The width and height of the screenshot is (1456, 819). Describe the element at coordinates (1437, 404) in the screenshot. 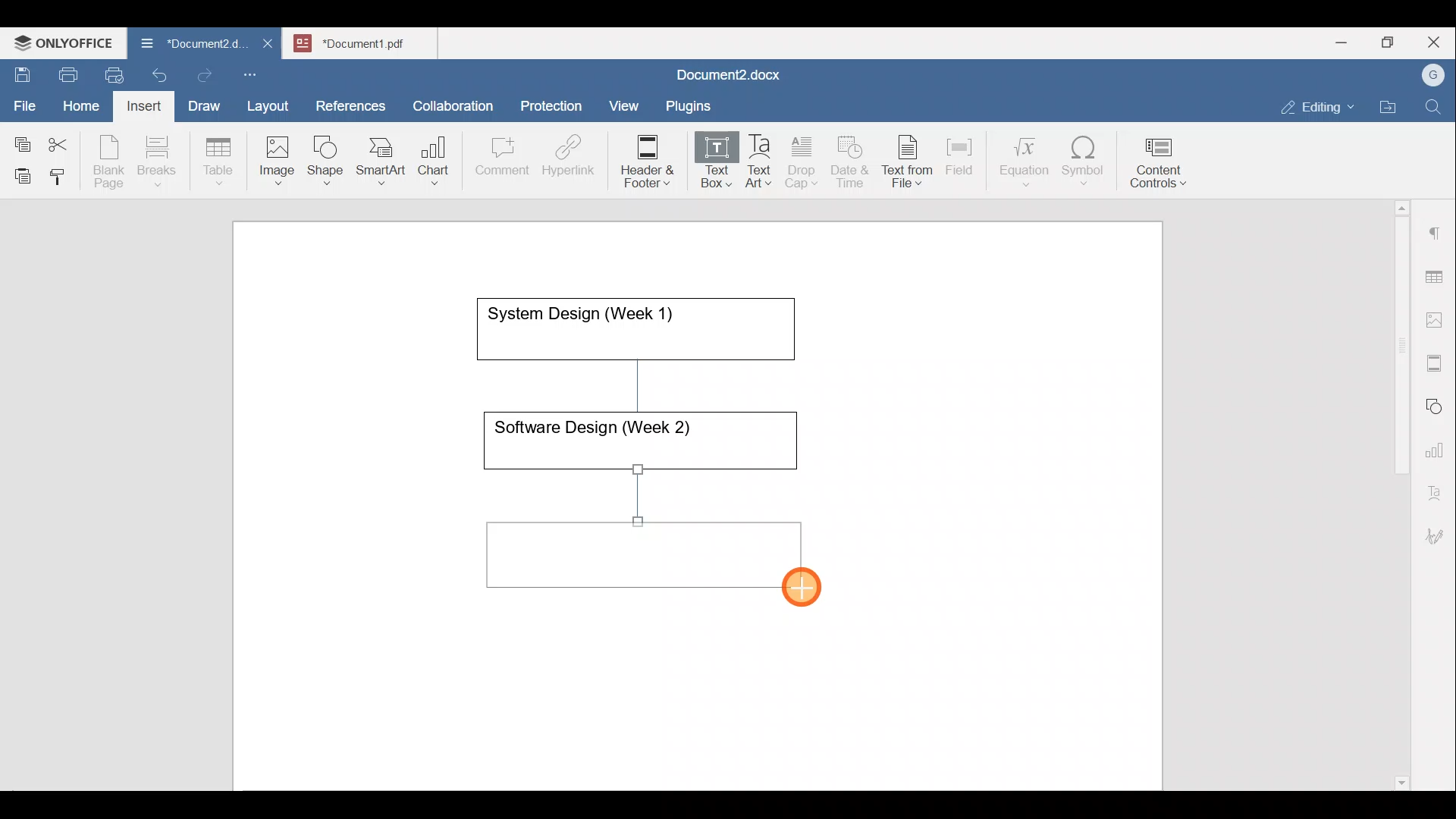

I see `Shapes settings` at that location.